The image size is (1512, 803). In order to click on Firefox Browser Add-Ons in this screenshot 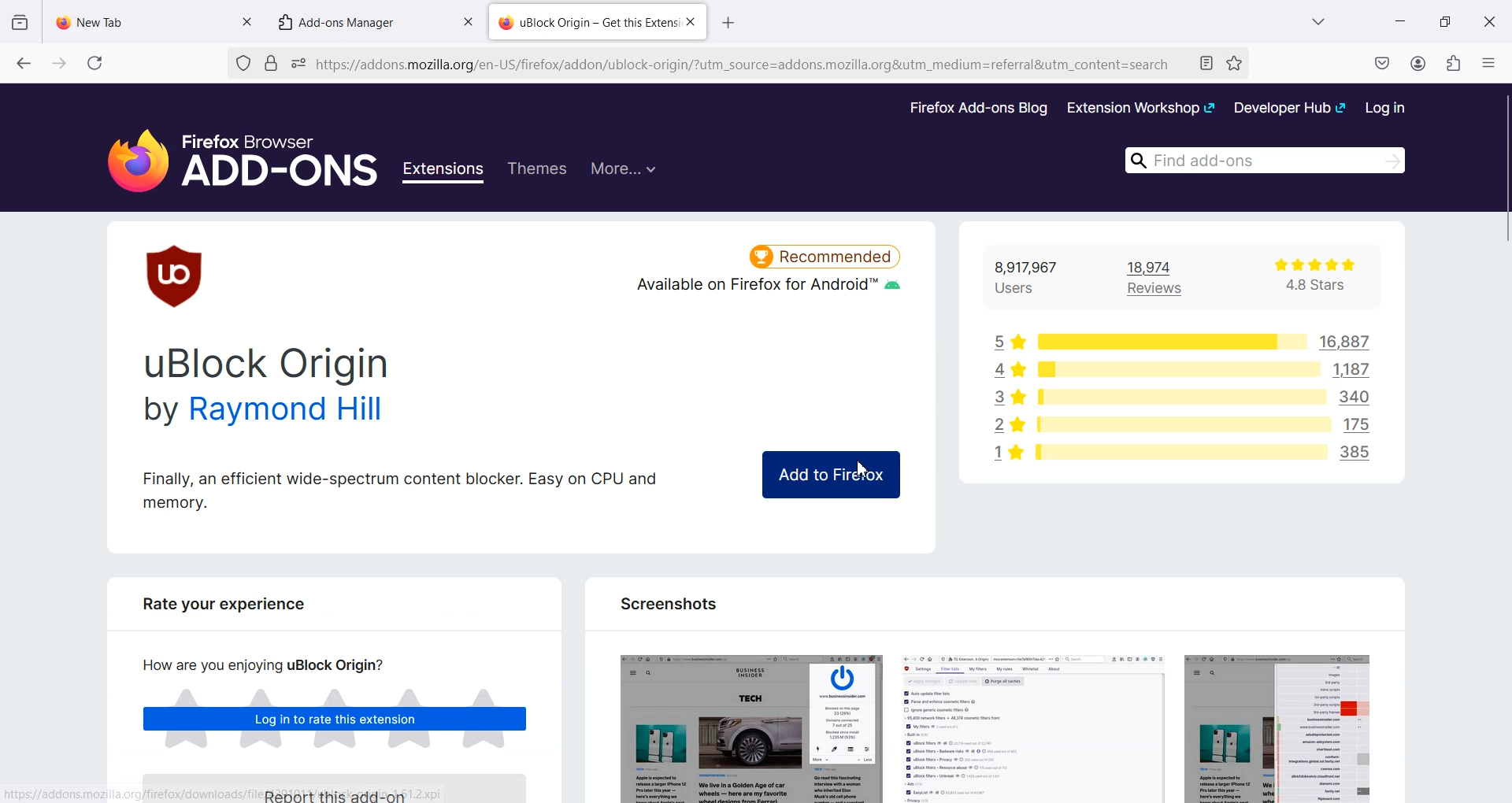, I will do `click(228, 152)`.